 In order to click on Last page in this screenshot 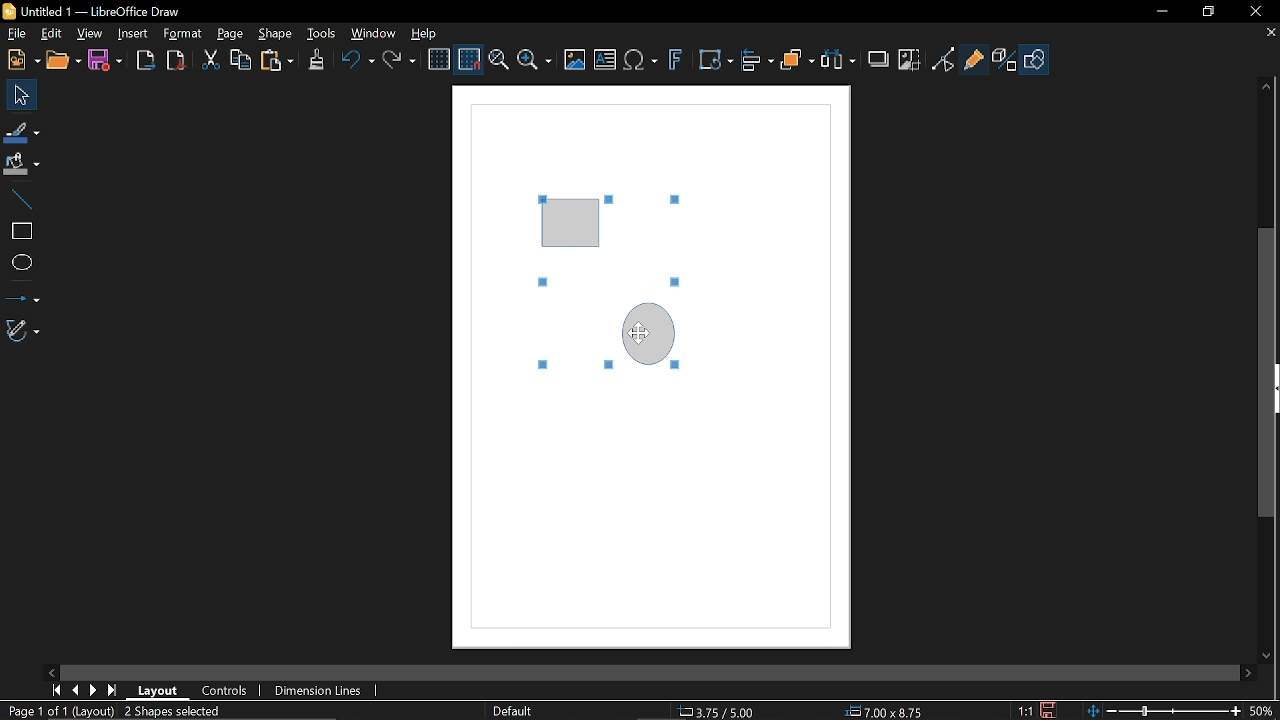, I will do `click(115, 691)`.